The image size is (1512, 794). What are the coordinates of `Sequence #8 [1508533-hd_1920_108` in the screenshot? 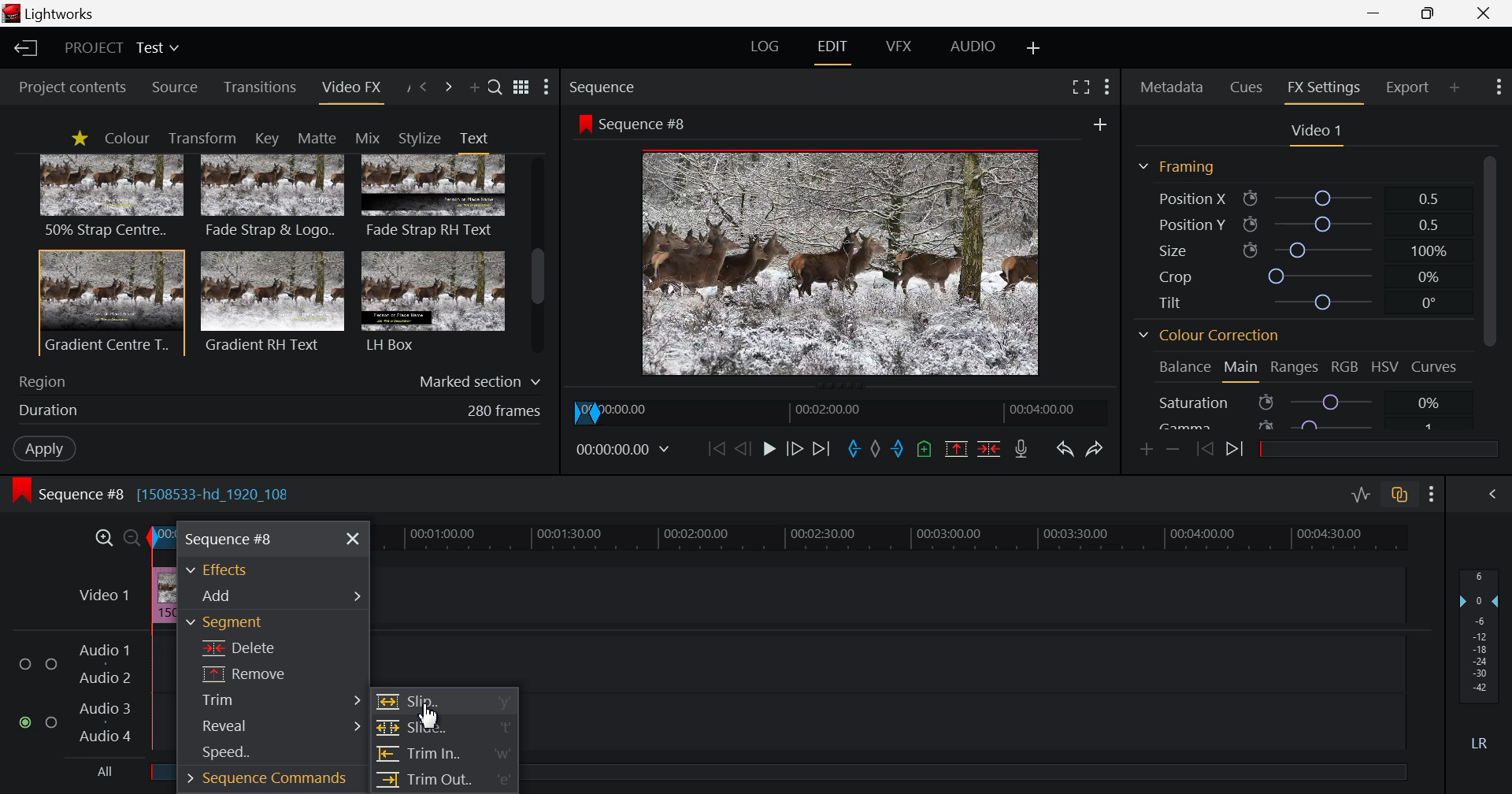 It's located at (162, 493).